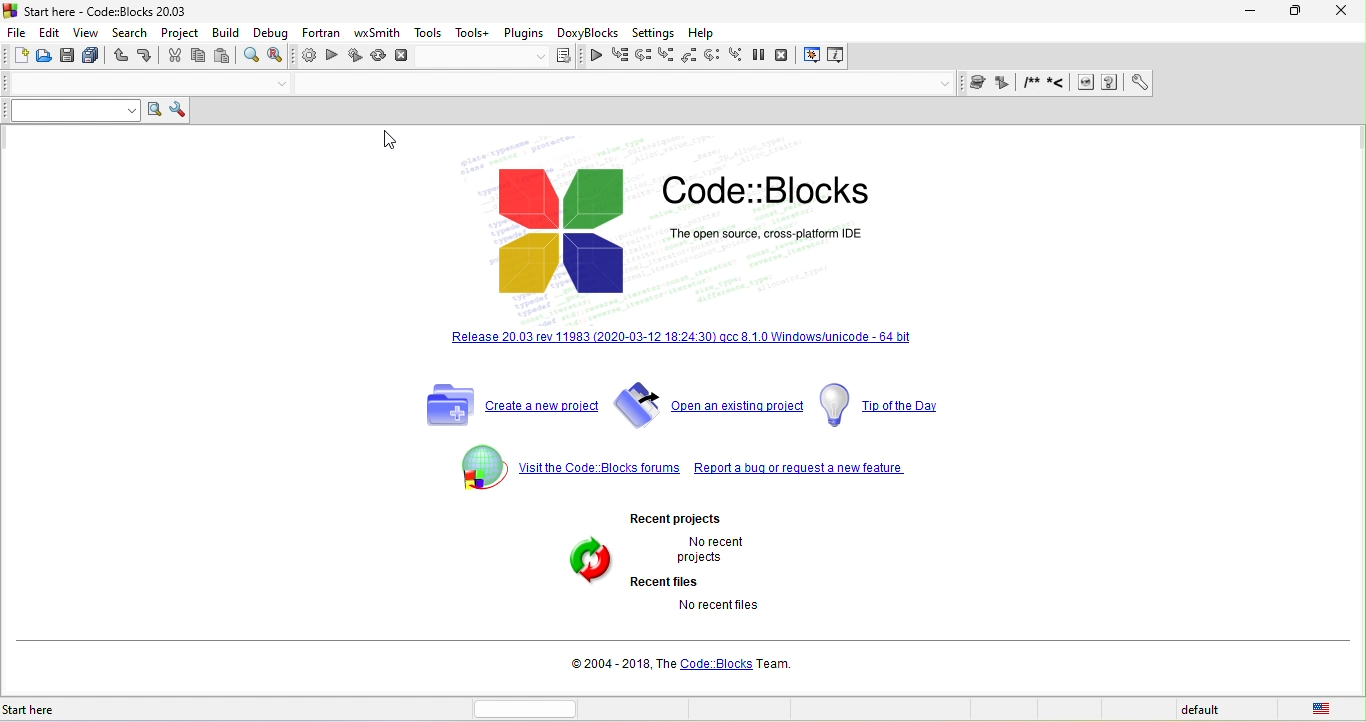 Image resolution: width=1366 pixels, height=722 pixels. Describe the element at coordinates (524, 31) in the screenshot. I see `plugins` at that location.